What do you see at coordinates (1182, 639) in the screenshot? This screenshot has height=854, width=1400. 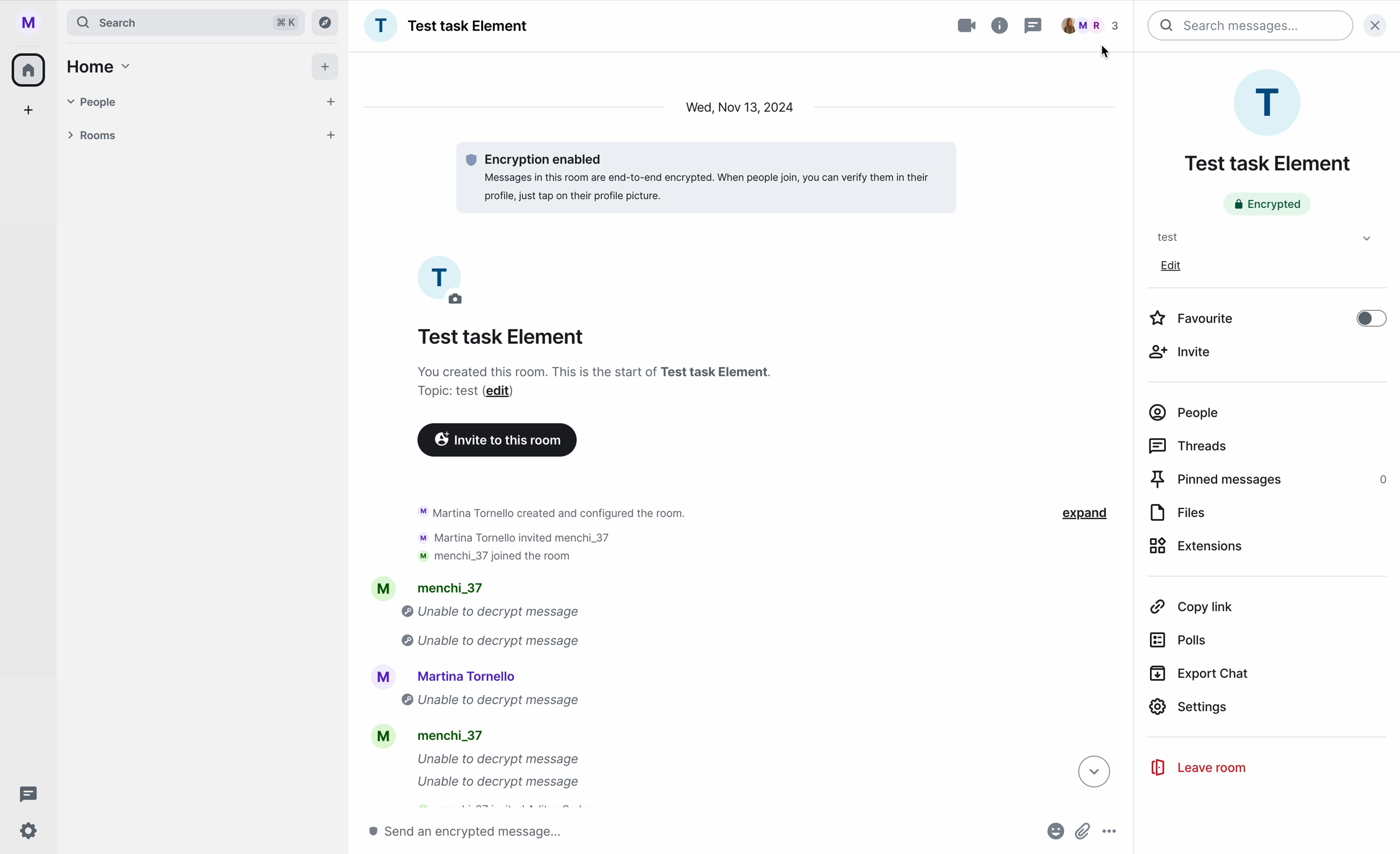 I see `polls` at bounding box center [1182, 639].